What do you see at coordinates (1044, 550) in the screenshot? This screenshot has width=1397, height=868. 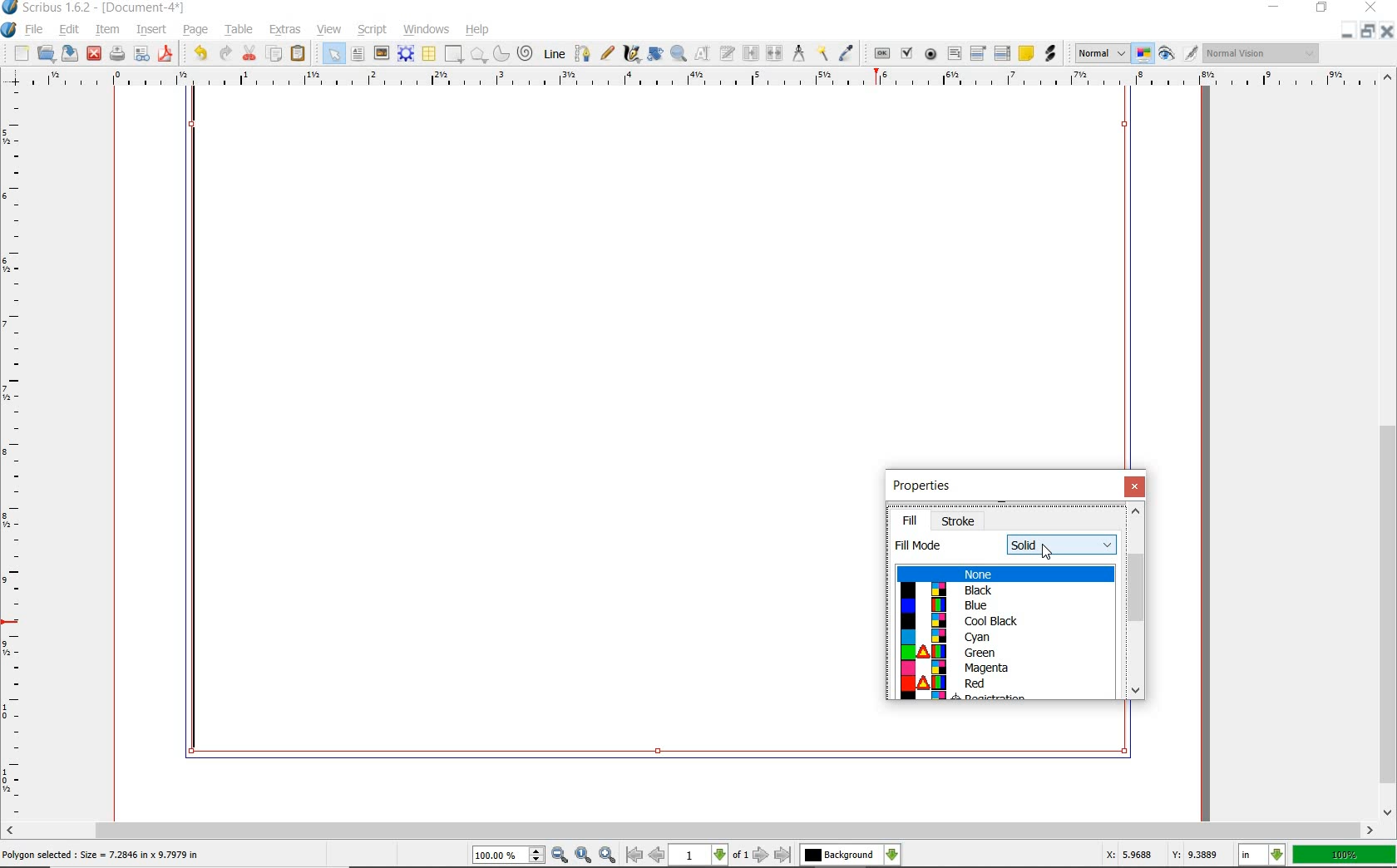 I see `Cursor` at bounding box center [1044, 550].